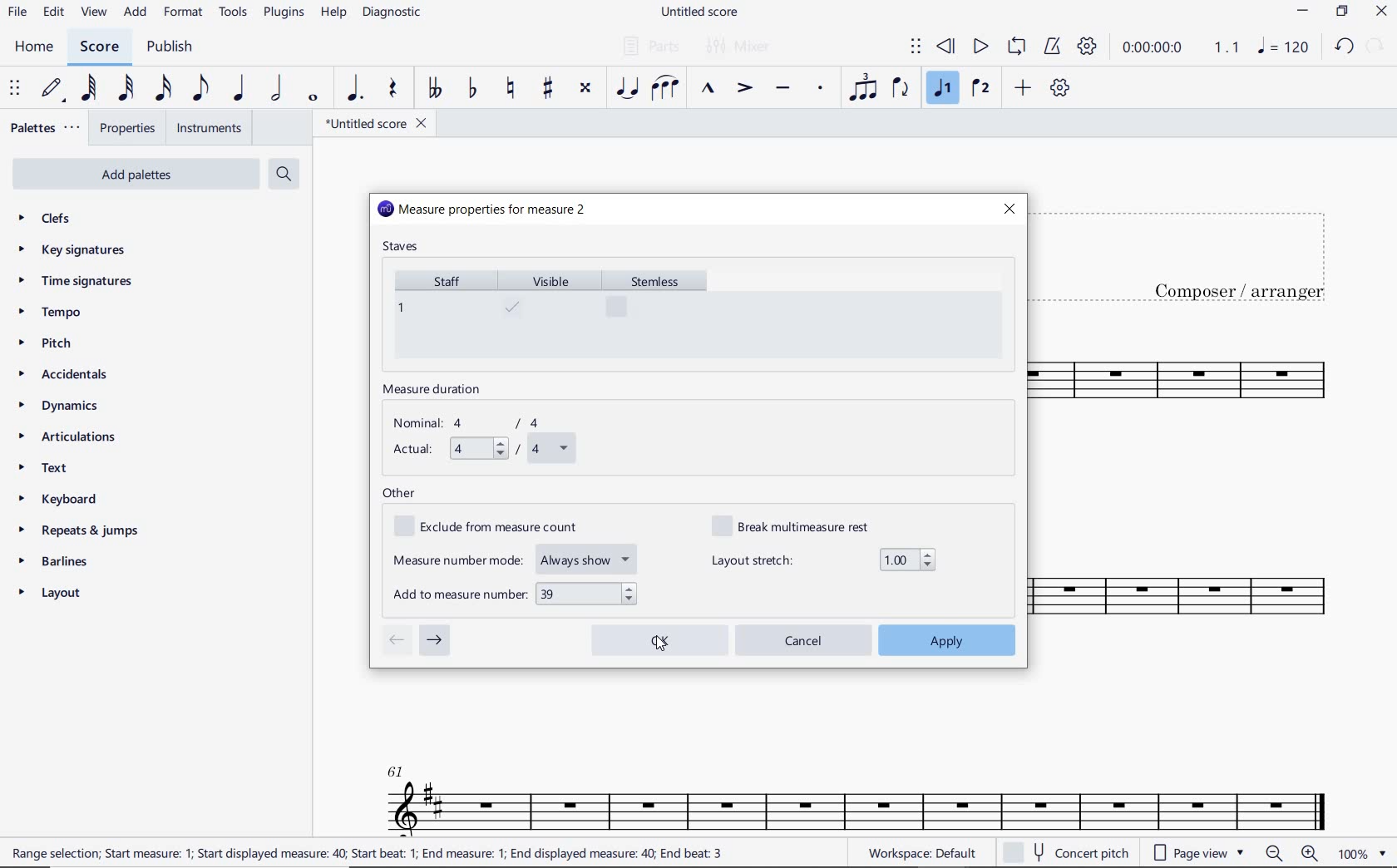  Describe the element at coordinates (357, 89) in the screenshot. I see `AUGMENTATION DOT` at that location.